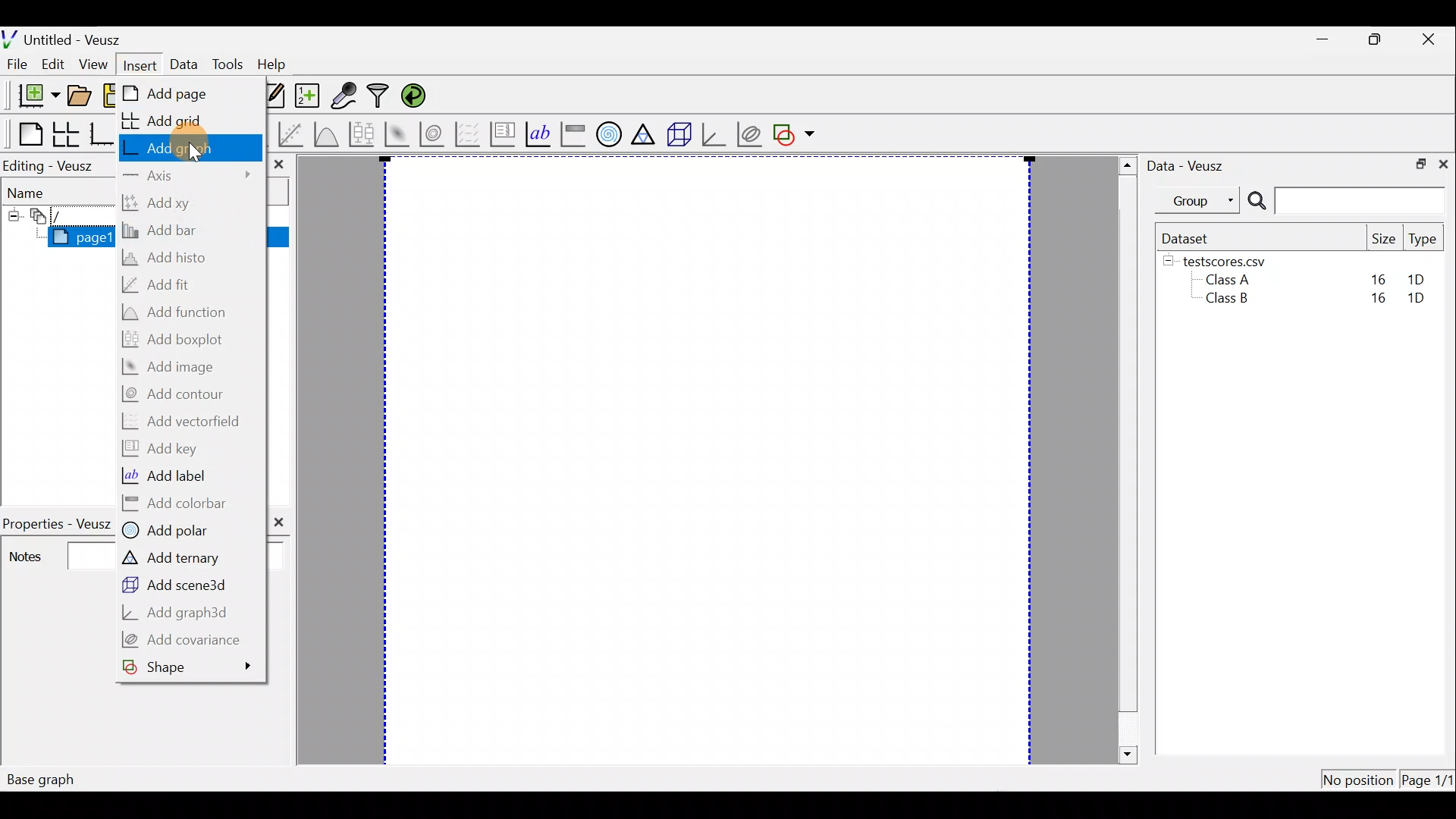 The image size is (1456, 819). Describe the element at coordinates (1323, 39) in the screenshot. I see `Minimize` at that location.